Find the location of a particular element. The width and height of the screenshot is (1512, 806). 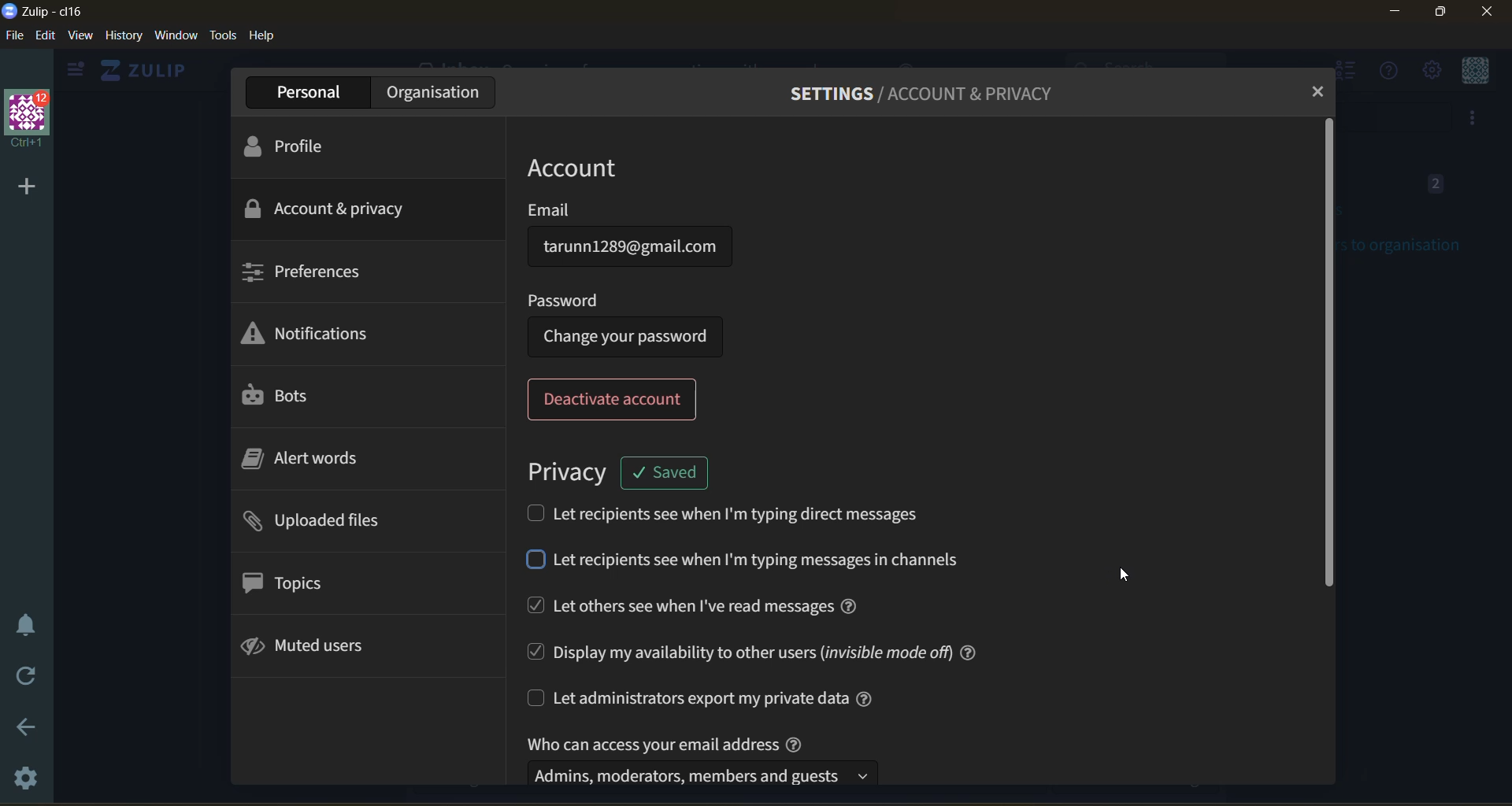

let administrators export my private data is located at coordinates (717, 698).